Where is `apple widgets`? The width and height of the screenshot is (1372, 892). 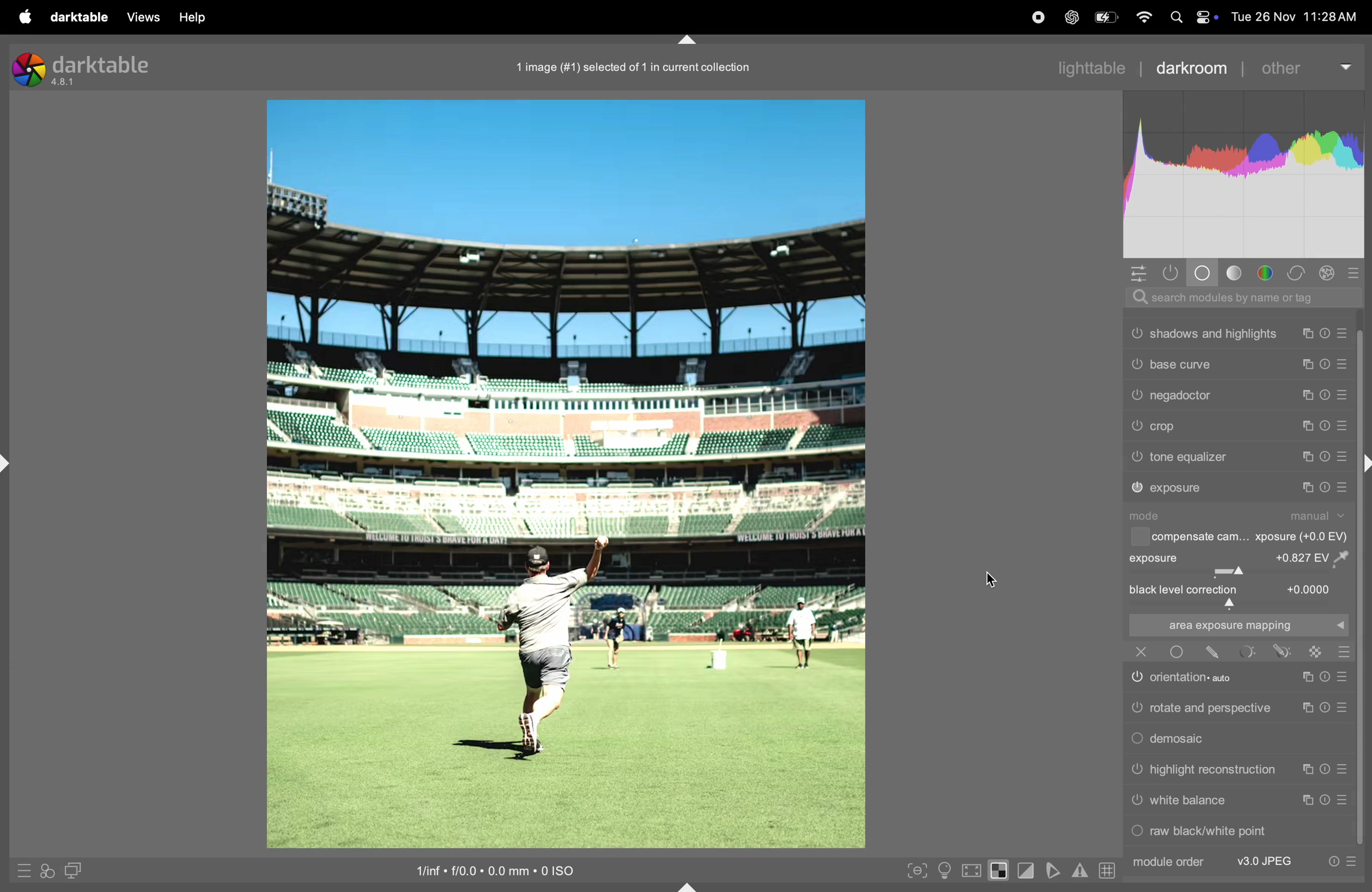 apple widgets is located at coordinates (1193, 17).